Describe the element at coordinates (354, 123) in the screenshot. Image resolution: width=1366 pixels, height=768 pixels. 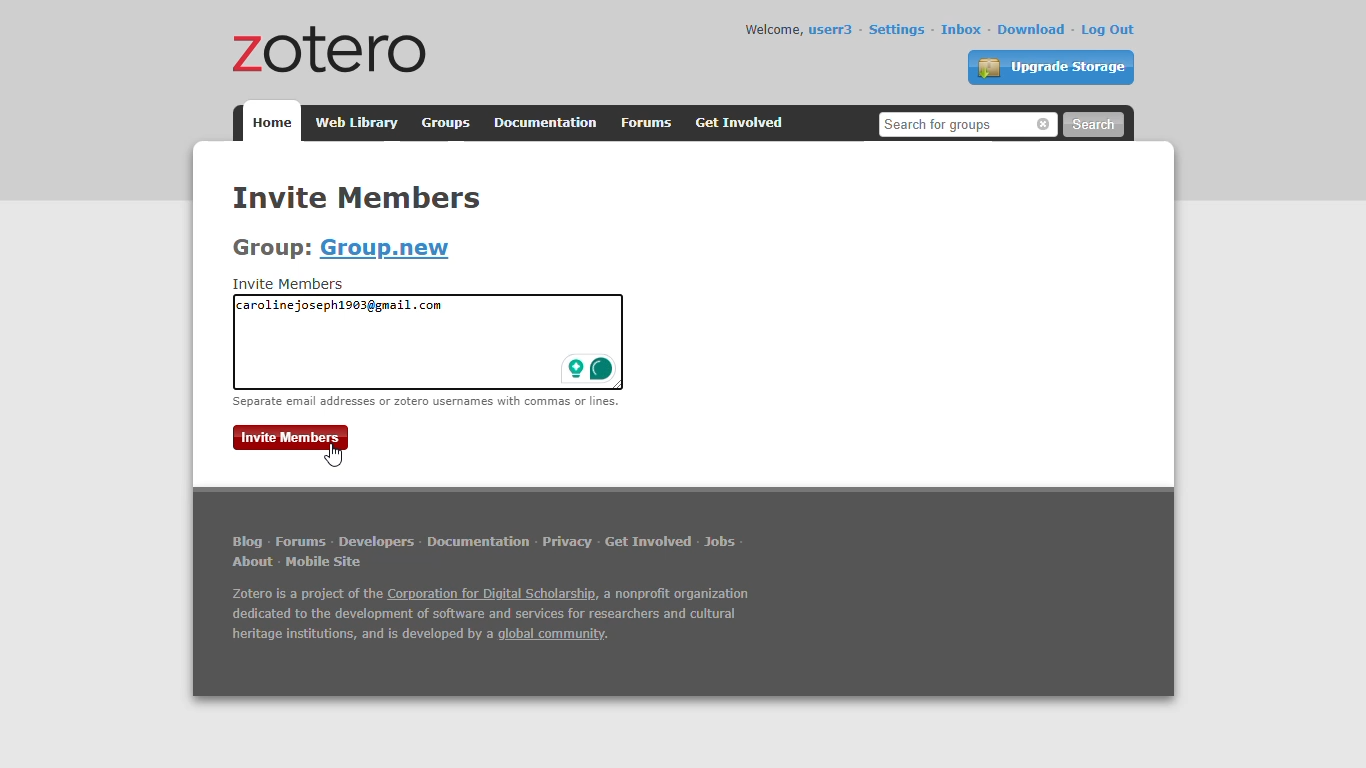
I see `web library` at that location.